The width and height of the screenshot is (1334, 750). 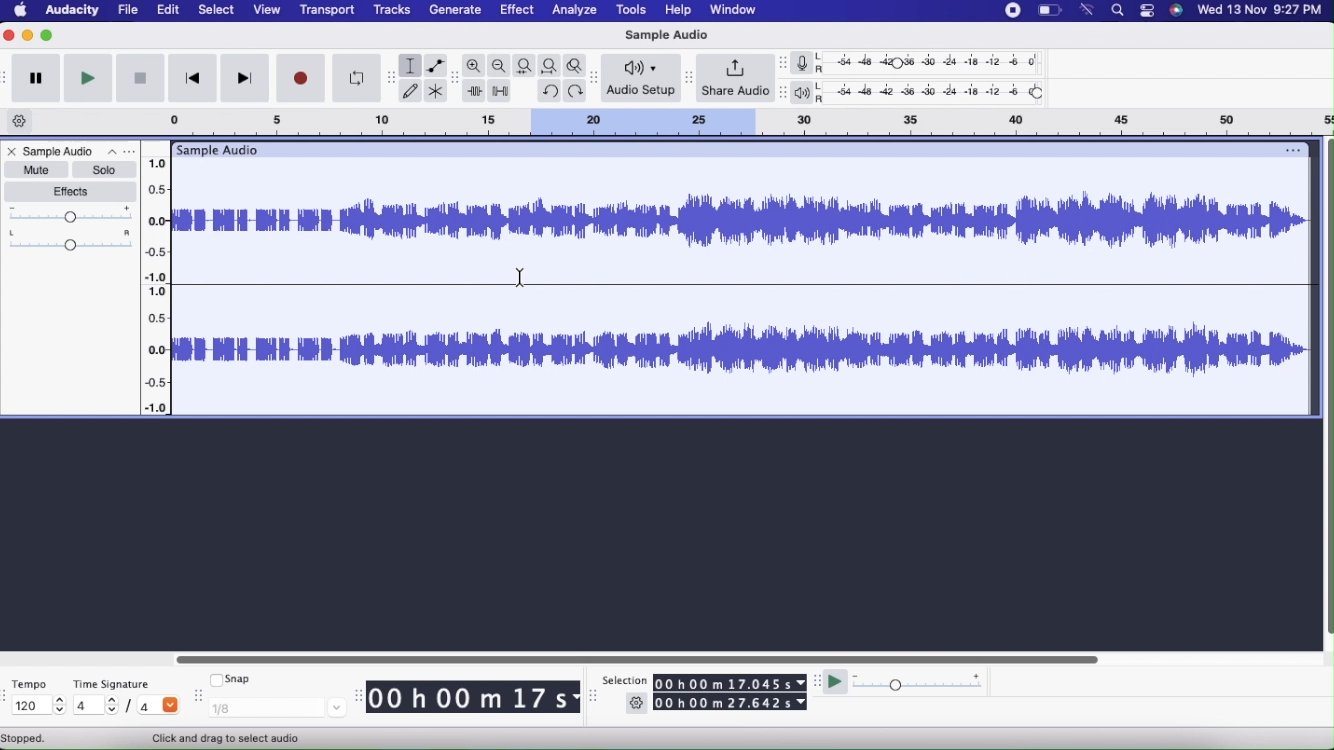 I want to click on spotlight, so click(x=1118, y=12).